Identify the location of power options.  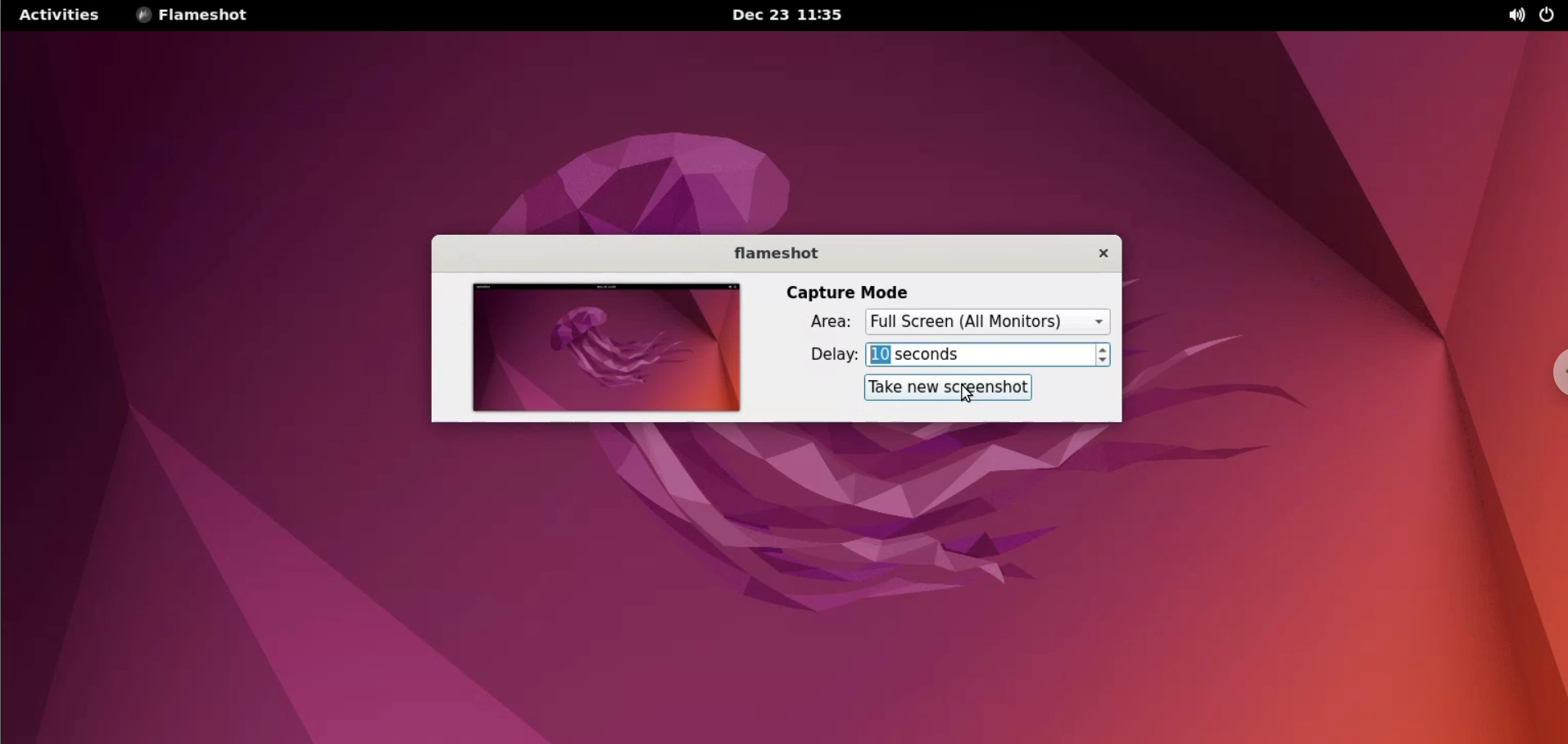
(1547, 16).